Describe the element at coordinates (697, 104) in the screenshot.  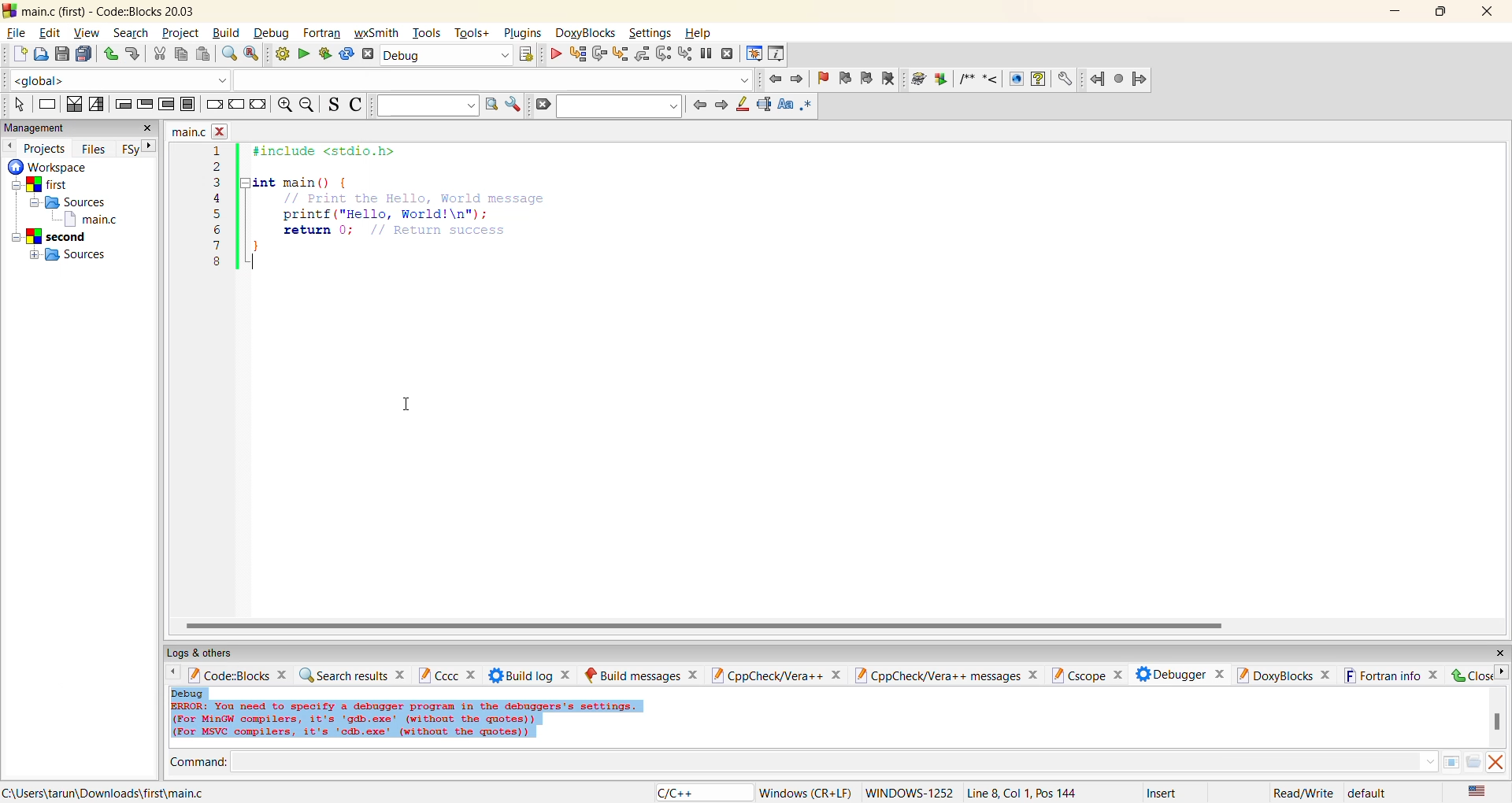
I see `previous` at that location.